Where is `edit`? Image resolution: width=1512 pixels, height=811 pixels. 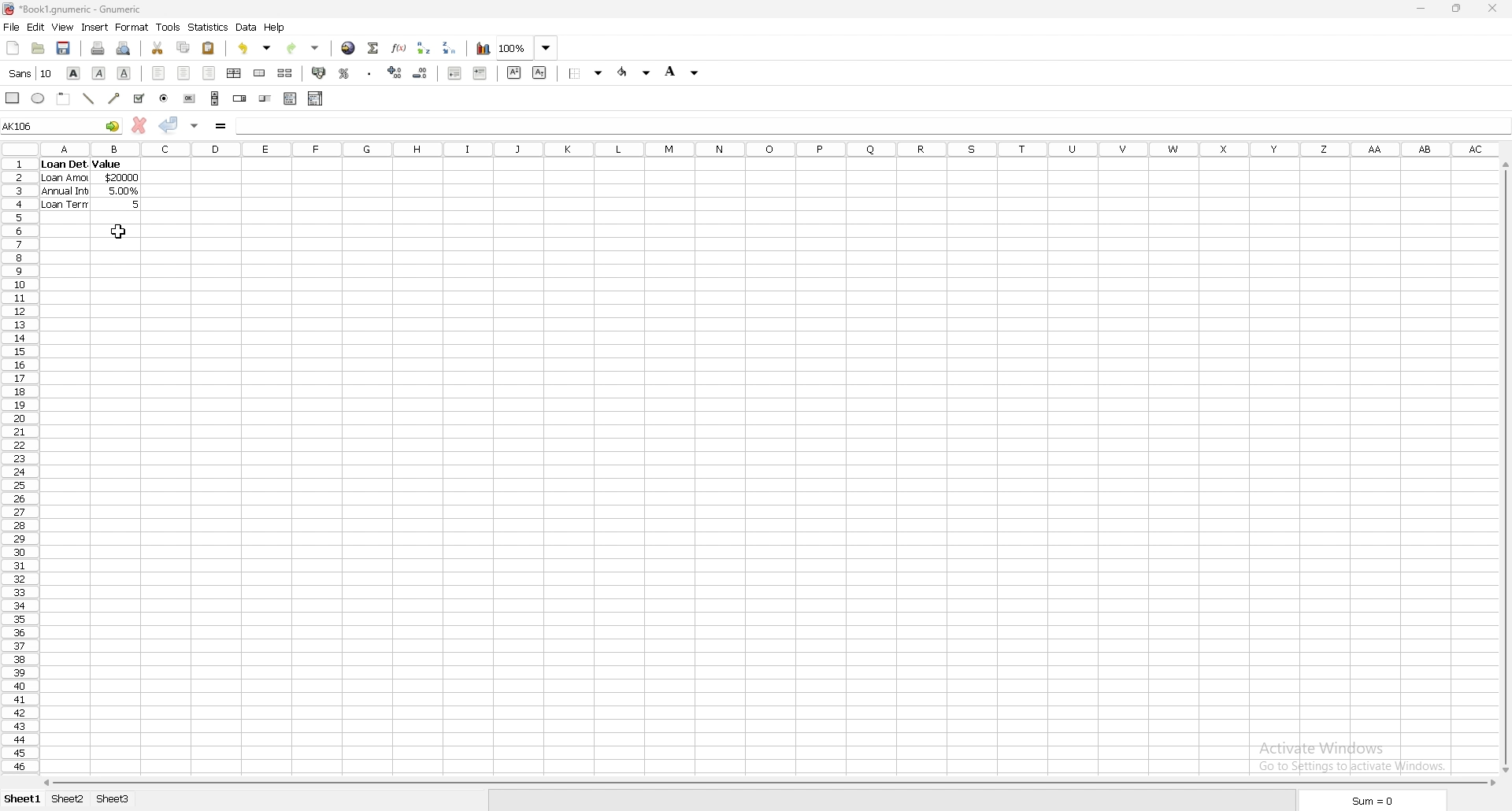 edit is located at coordinates (35, 27).